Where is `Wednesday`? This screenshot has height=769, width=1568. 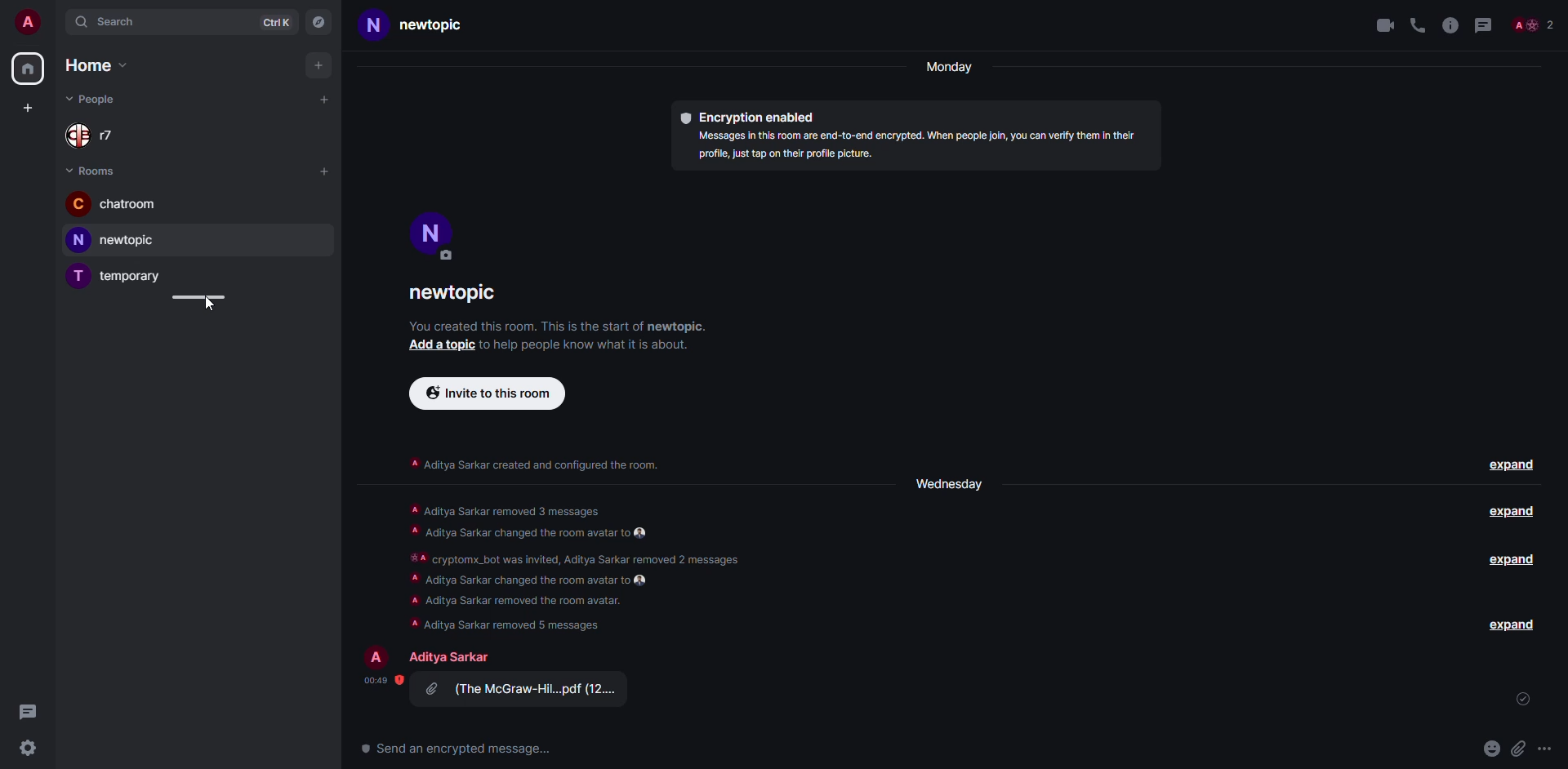
Wednesday is located at coordinates (951, 482).